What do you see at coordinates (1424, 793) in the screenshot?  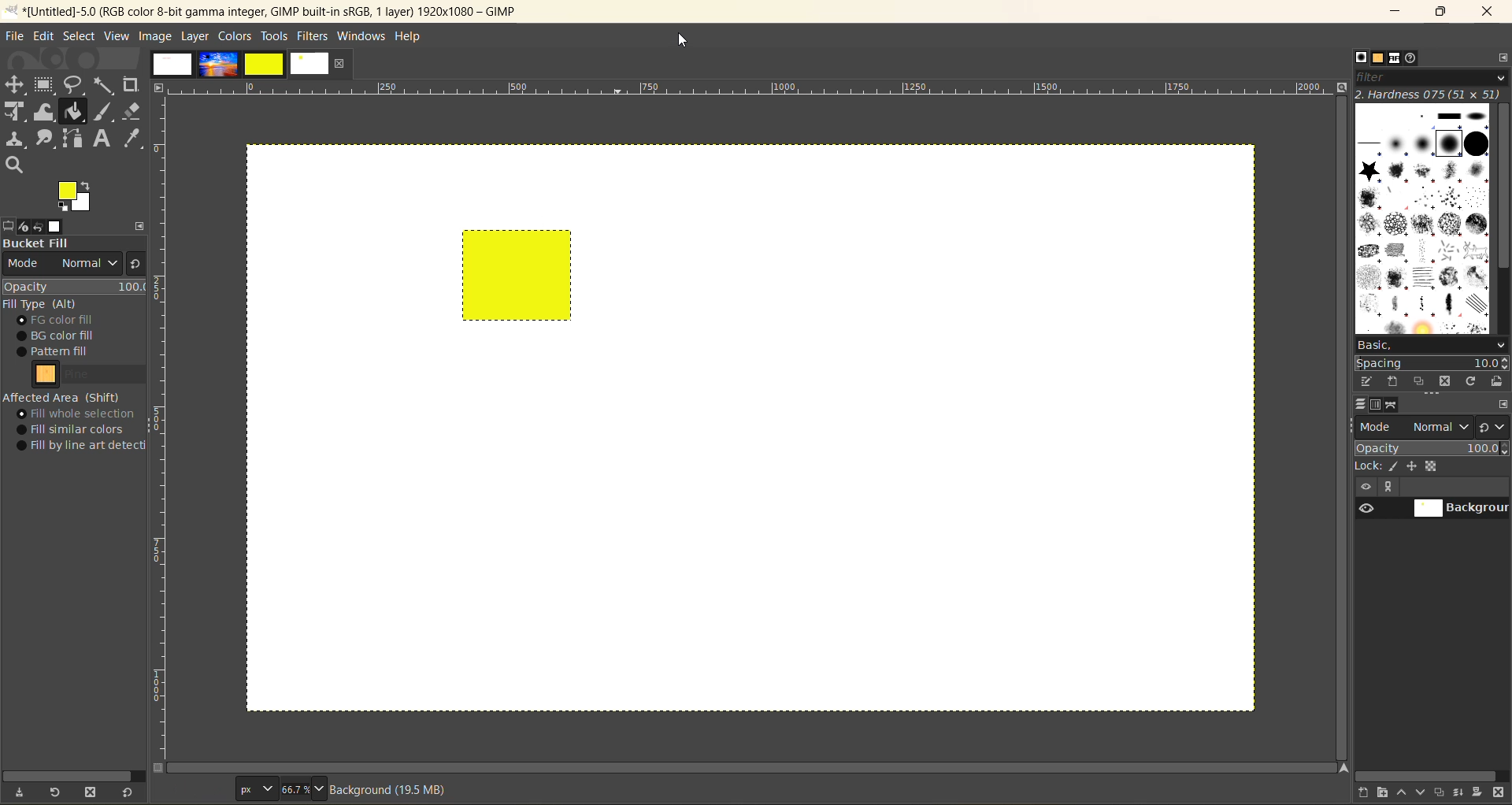 I see `lower this layer` at bounding box center [1424, 793].